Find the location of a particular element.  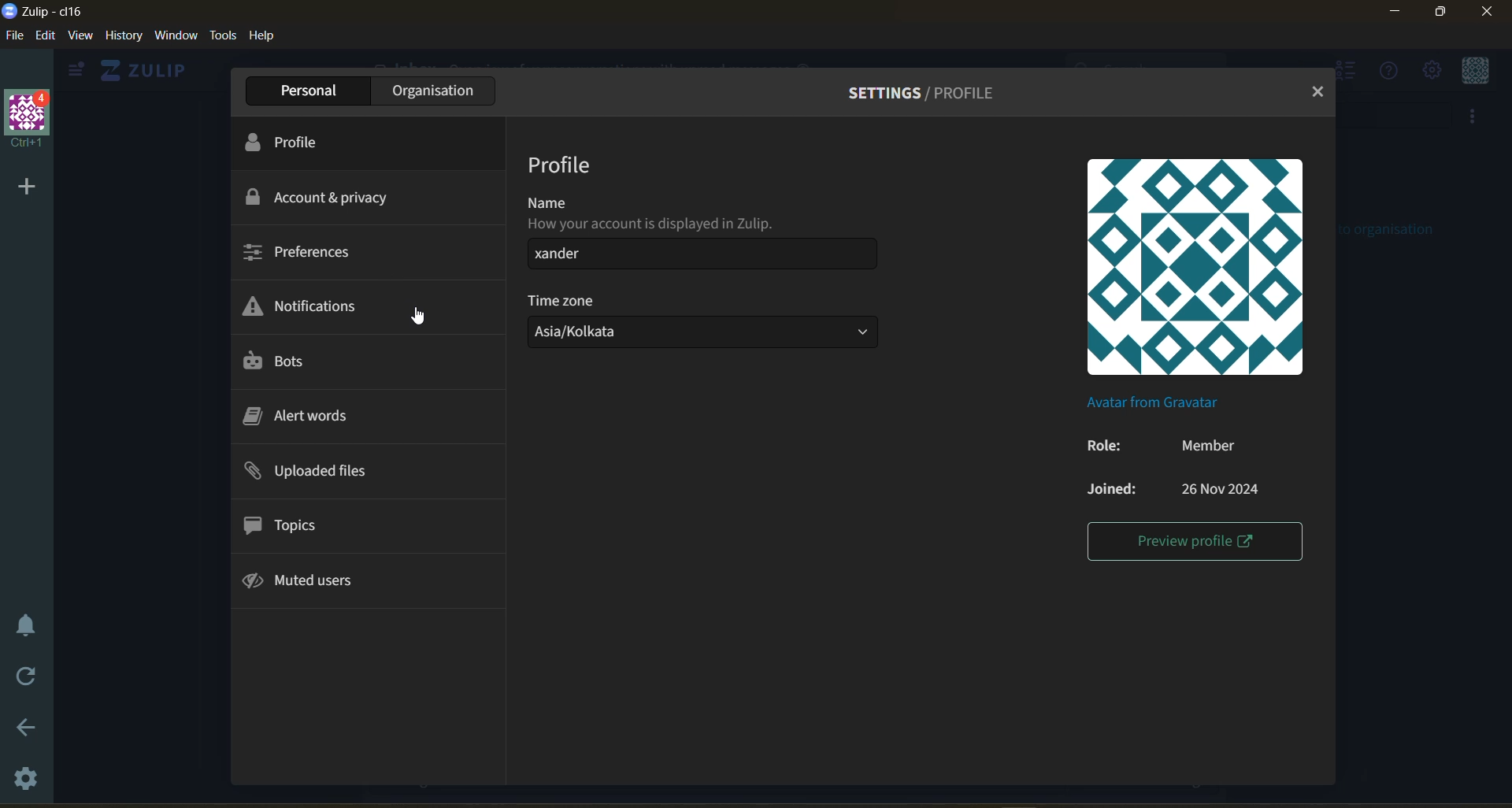

history is located at coordinates (124, 36).